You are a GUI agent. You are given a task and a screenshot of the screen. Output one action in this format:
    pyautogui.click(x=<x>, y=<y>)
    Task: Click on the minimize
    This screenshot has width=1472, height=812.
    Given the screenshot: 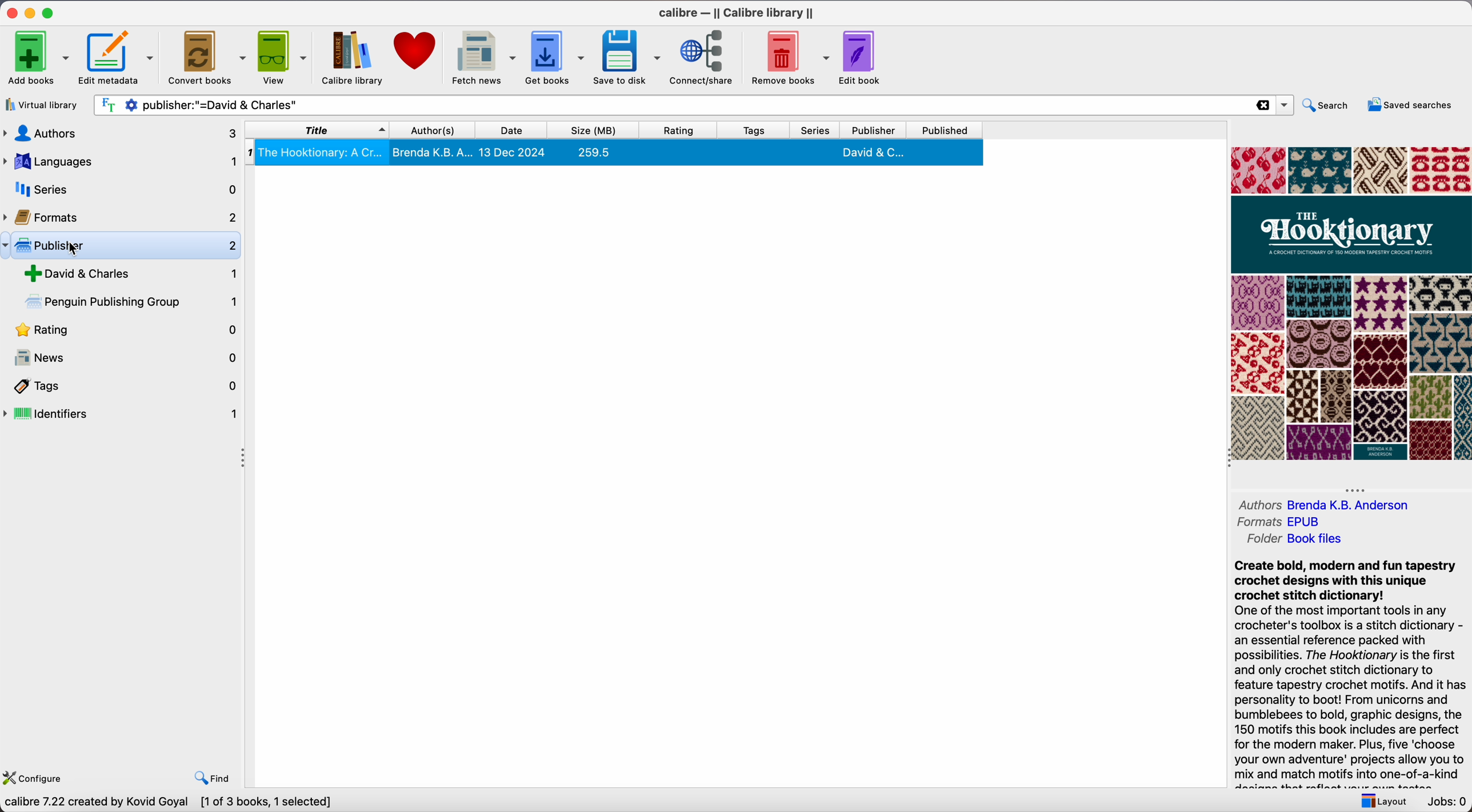 What is the action you would take?
    pyautogui.click(x=30, y=13)
    